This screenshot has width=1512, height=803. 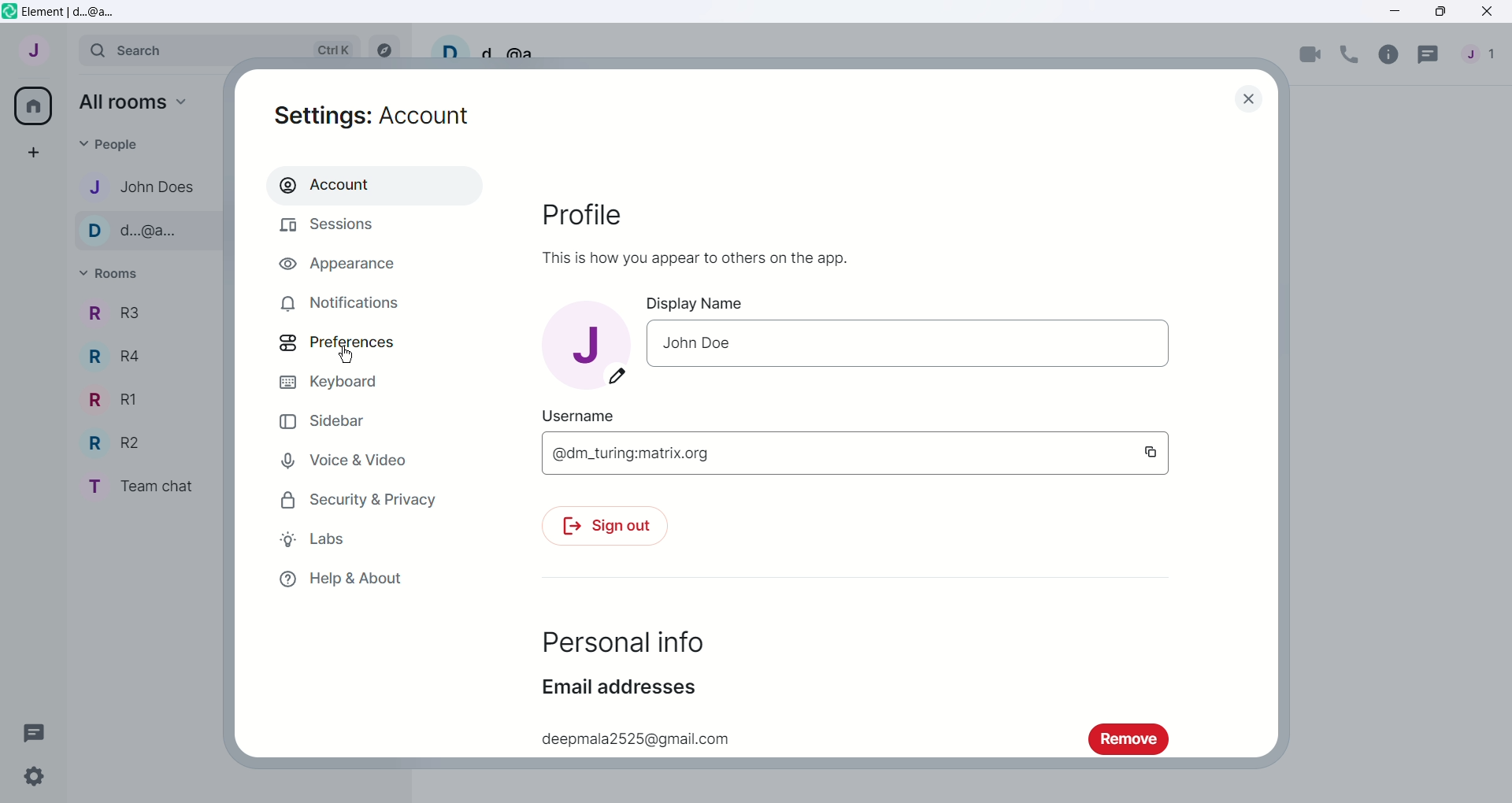 What do you see at coordinates (1249, 98) in the screenshot?
I see `close` at bounding box center [1249, 98].